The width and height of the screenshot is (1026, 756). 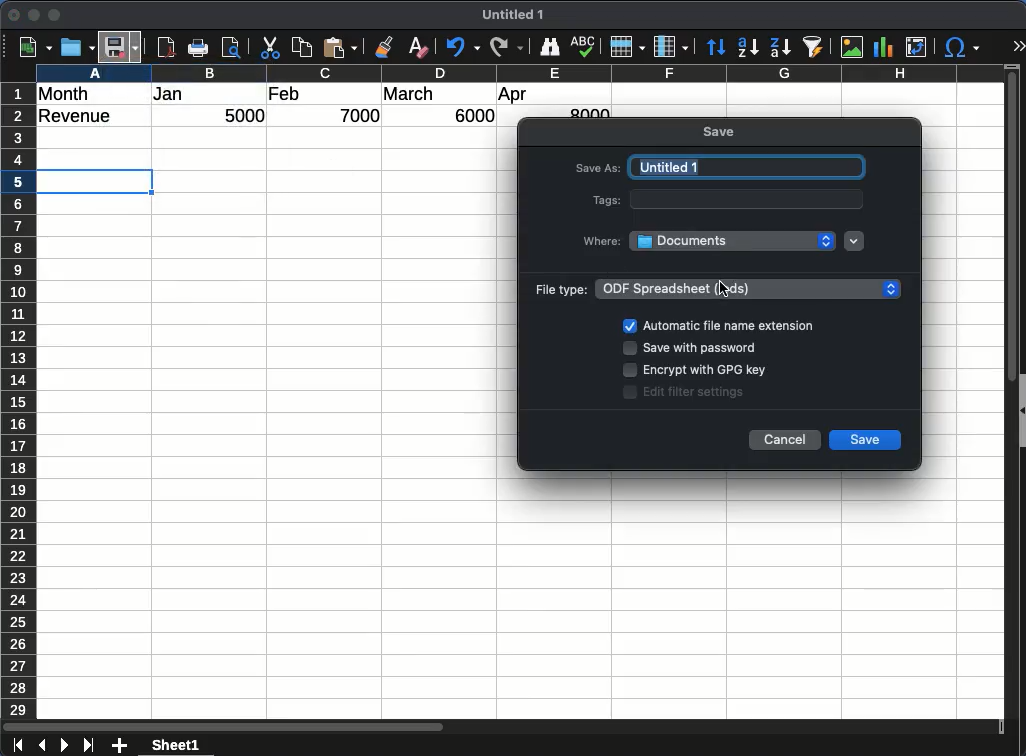 What do you see at coordinates (33, 47) in the screenshot?
I see `new` at bounding box center [33, 47].